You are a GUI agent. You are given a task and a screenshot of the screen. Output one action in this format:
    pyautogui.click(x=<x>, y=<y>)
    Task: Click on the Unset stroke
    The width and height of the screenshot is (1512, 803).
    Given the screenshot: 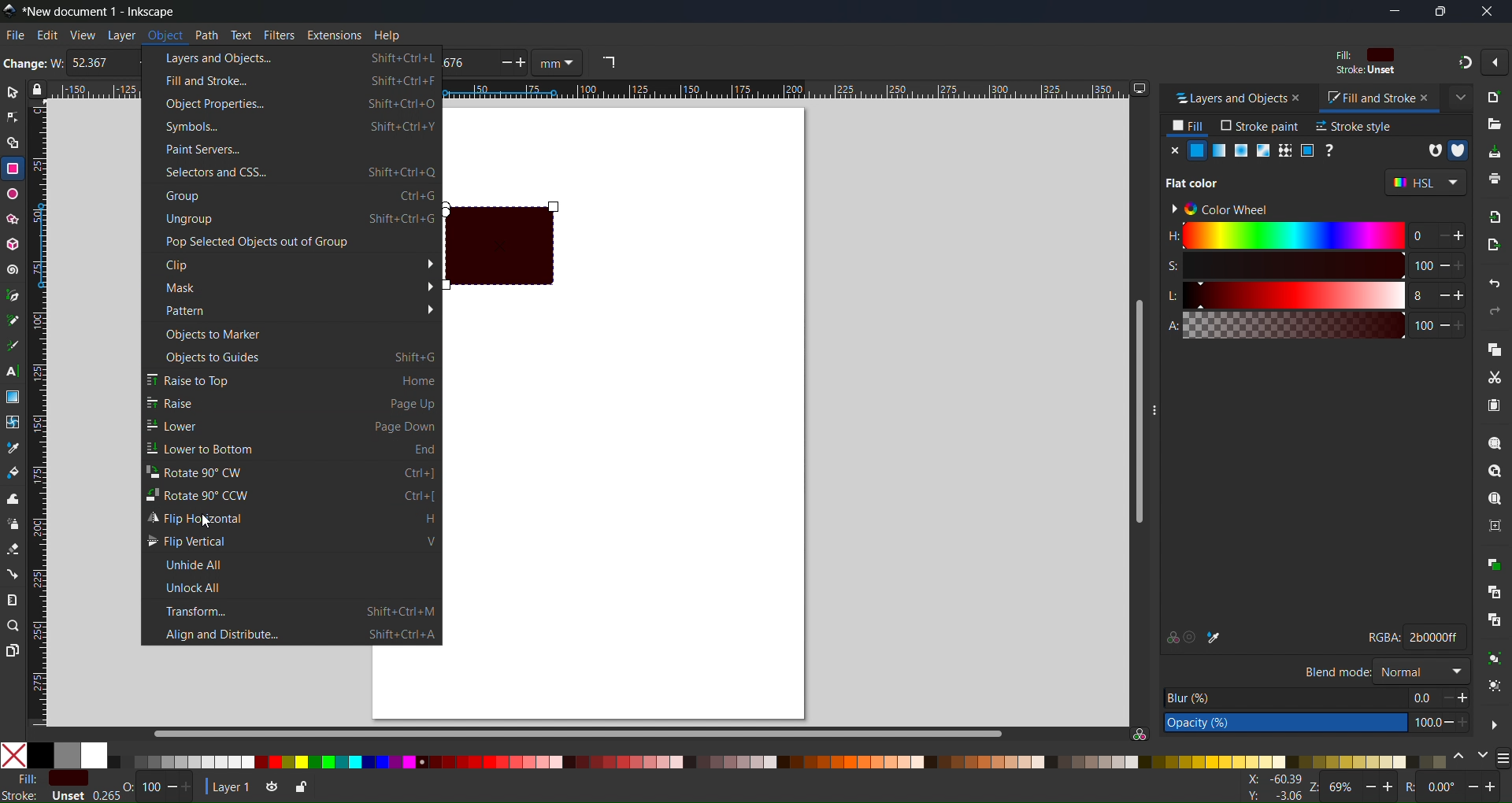 What is the action you would take?
    pyautogui.click(x=67, y=796)
    